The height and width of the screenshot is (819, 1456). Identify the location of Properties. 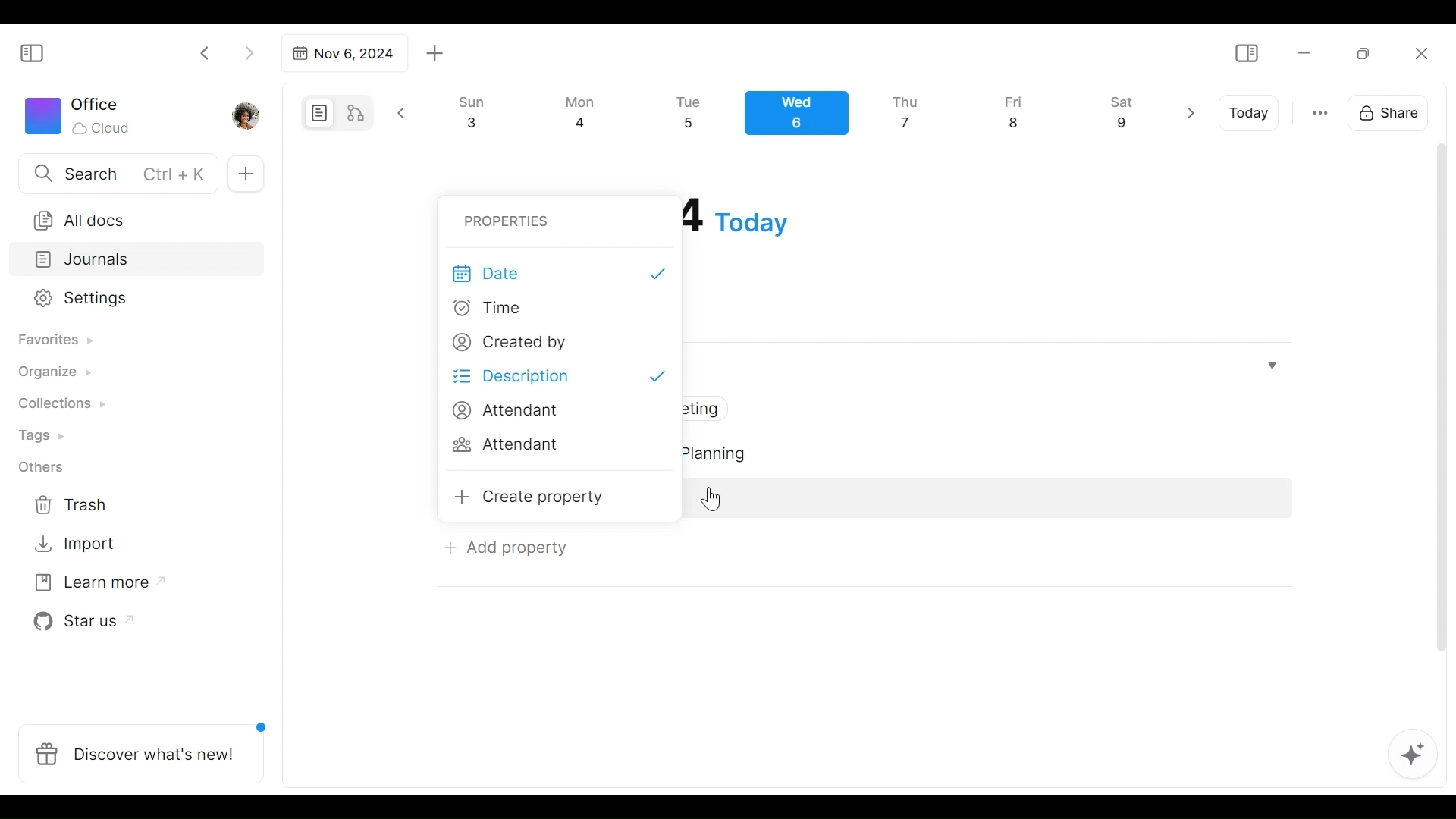
(510, 220).